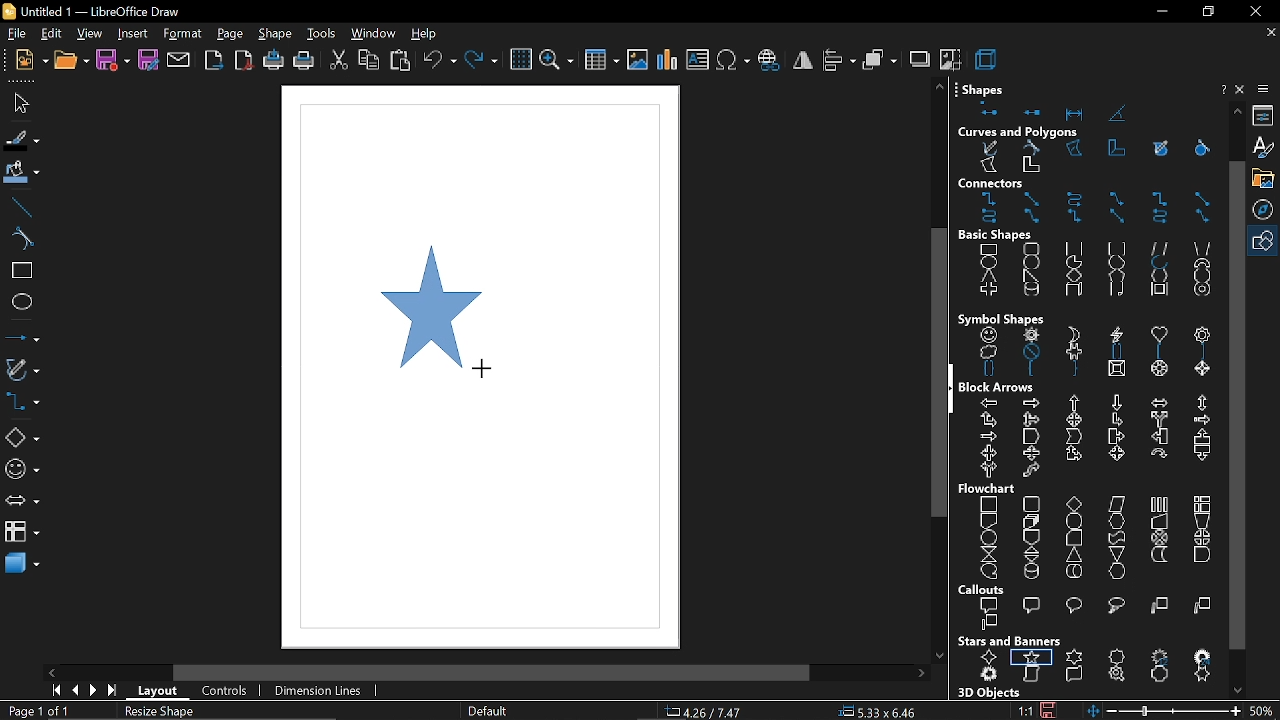  What do you see at coordinates (320, 34) in the screenshot?
I see `tools` at bounding box center [320, 34].